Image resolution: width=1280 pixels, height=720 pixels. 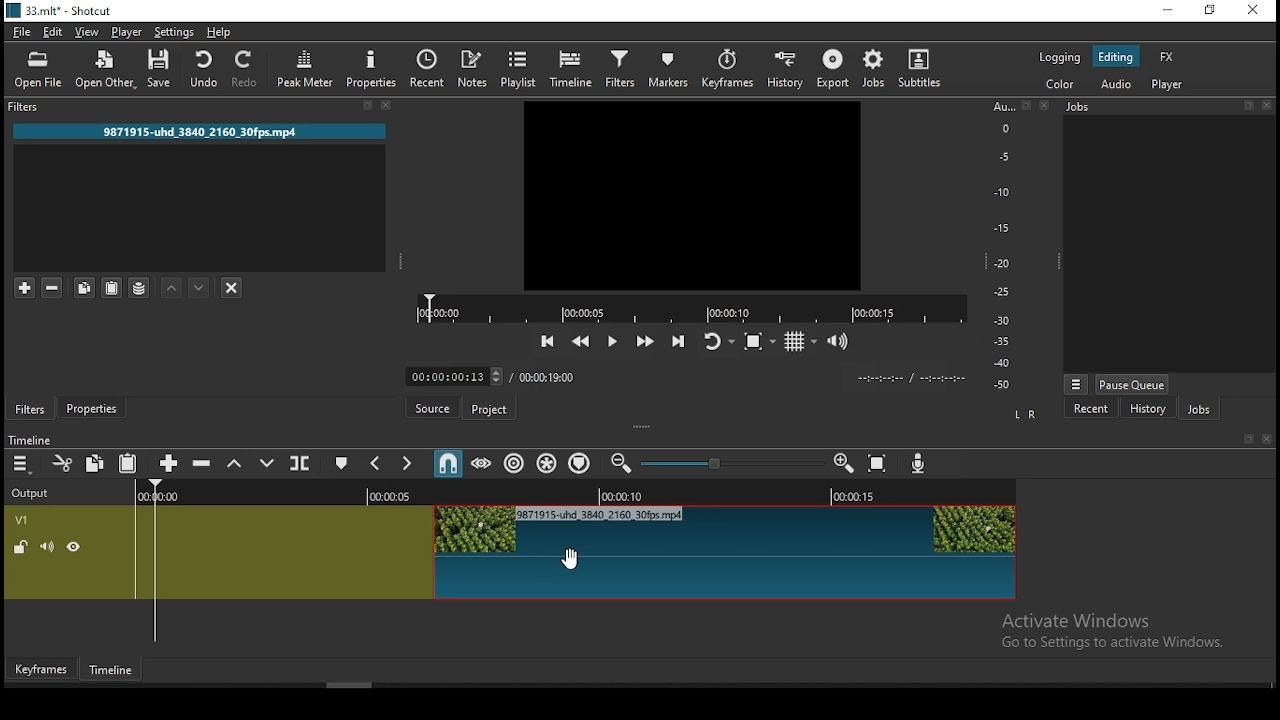 What do you see at coordinates (547, 339) in the screenshot?
I see `skip to previous point` at bounding box center [547, 339].